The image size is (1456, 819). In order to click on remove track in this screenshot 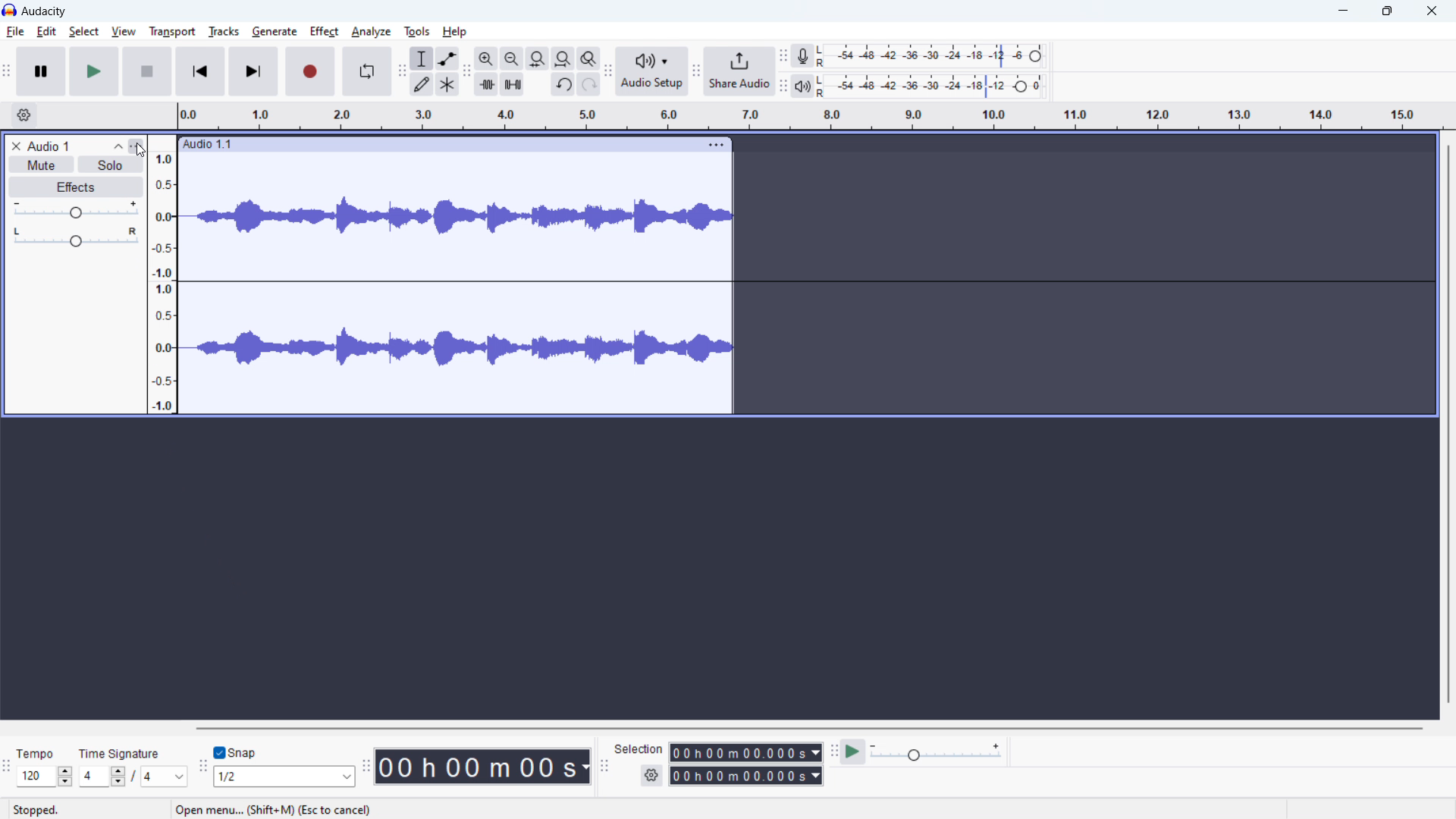, I will do `click(16, 146)`.